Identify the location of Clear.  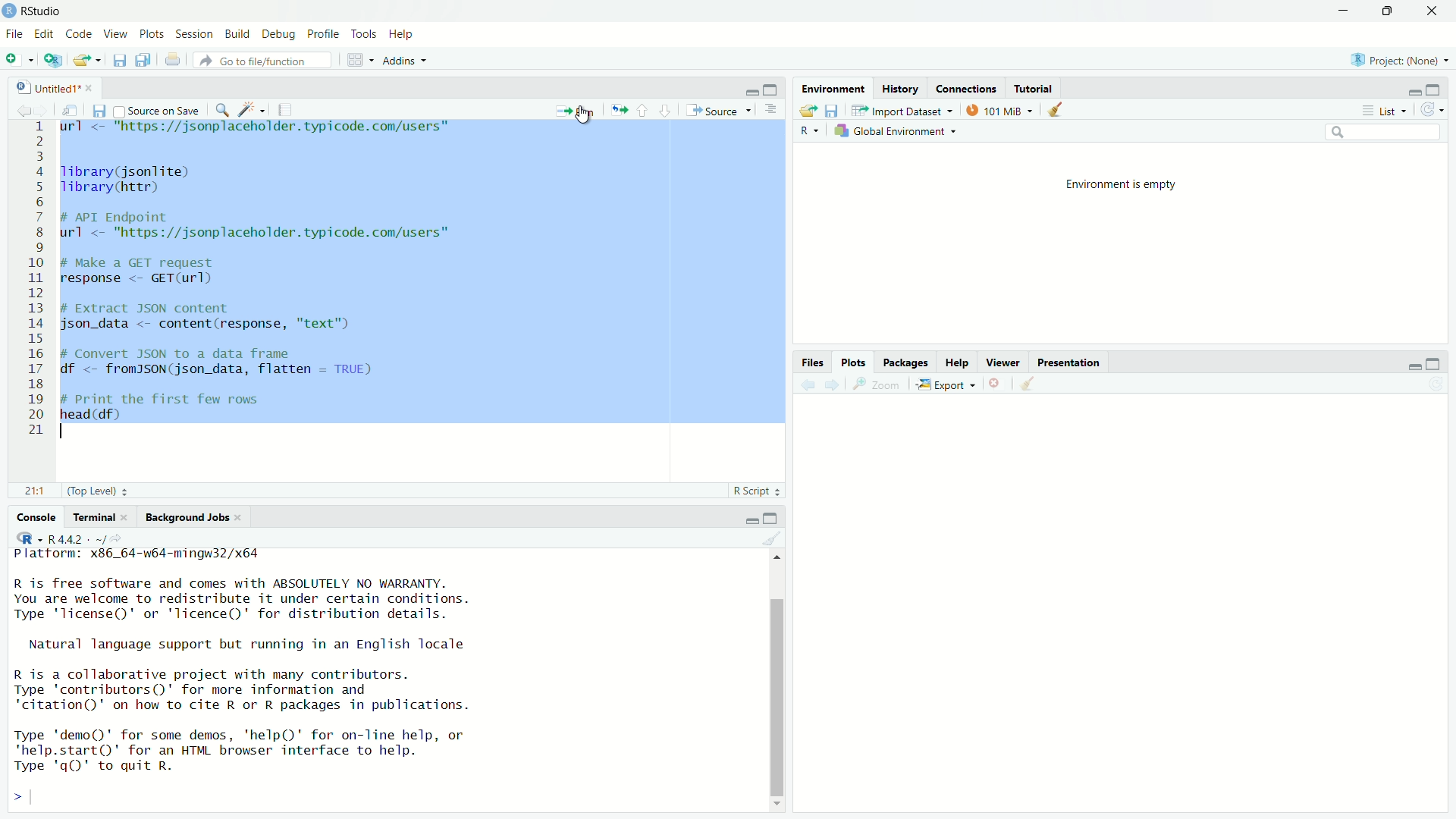
(771, 540).